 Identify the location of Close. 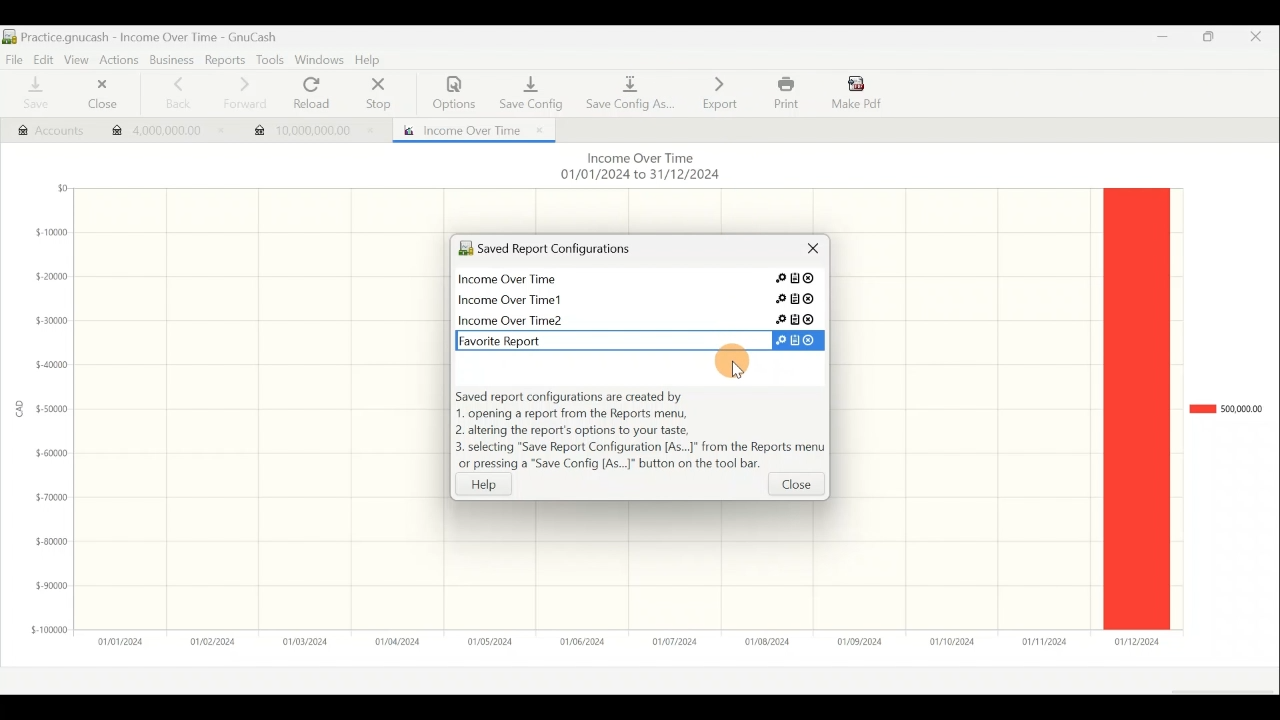
(796, 488).